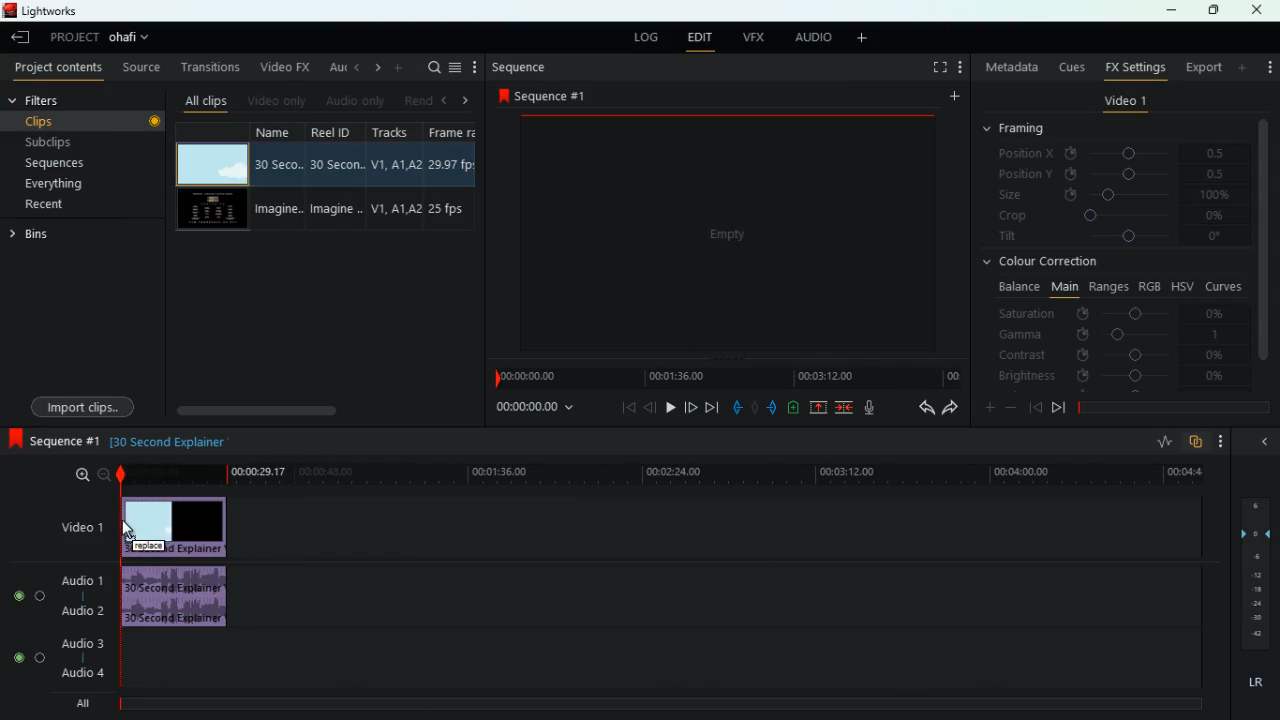  I want to click on sequences, so click(78, 163).